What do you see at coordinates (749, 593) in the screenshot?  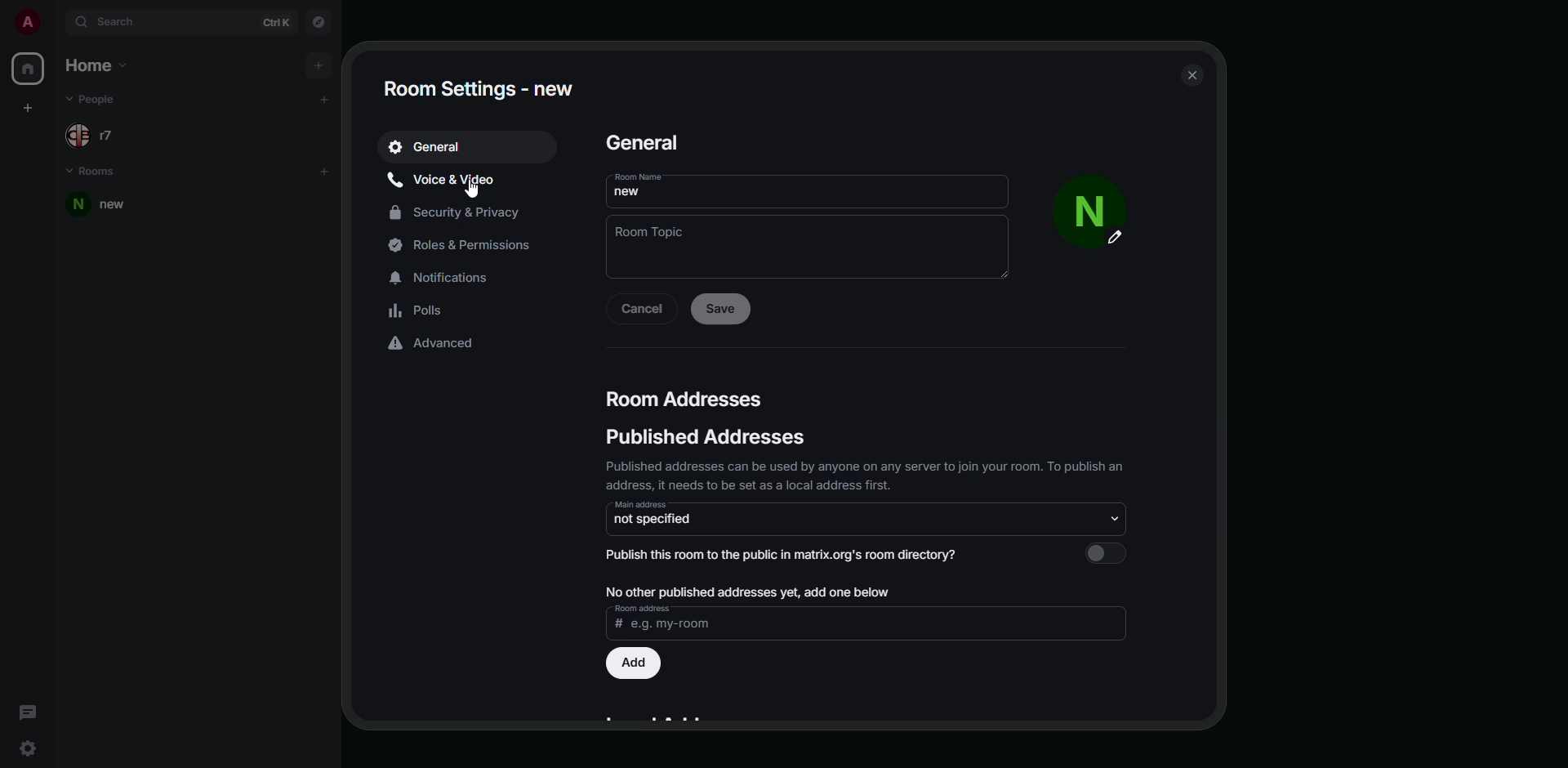 I see `No other published addresses yet, add one below` at bounding box center [749, 593].